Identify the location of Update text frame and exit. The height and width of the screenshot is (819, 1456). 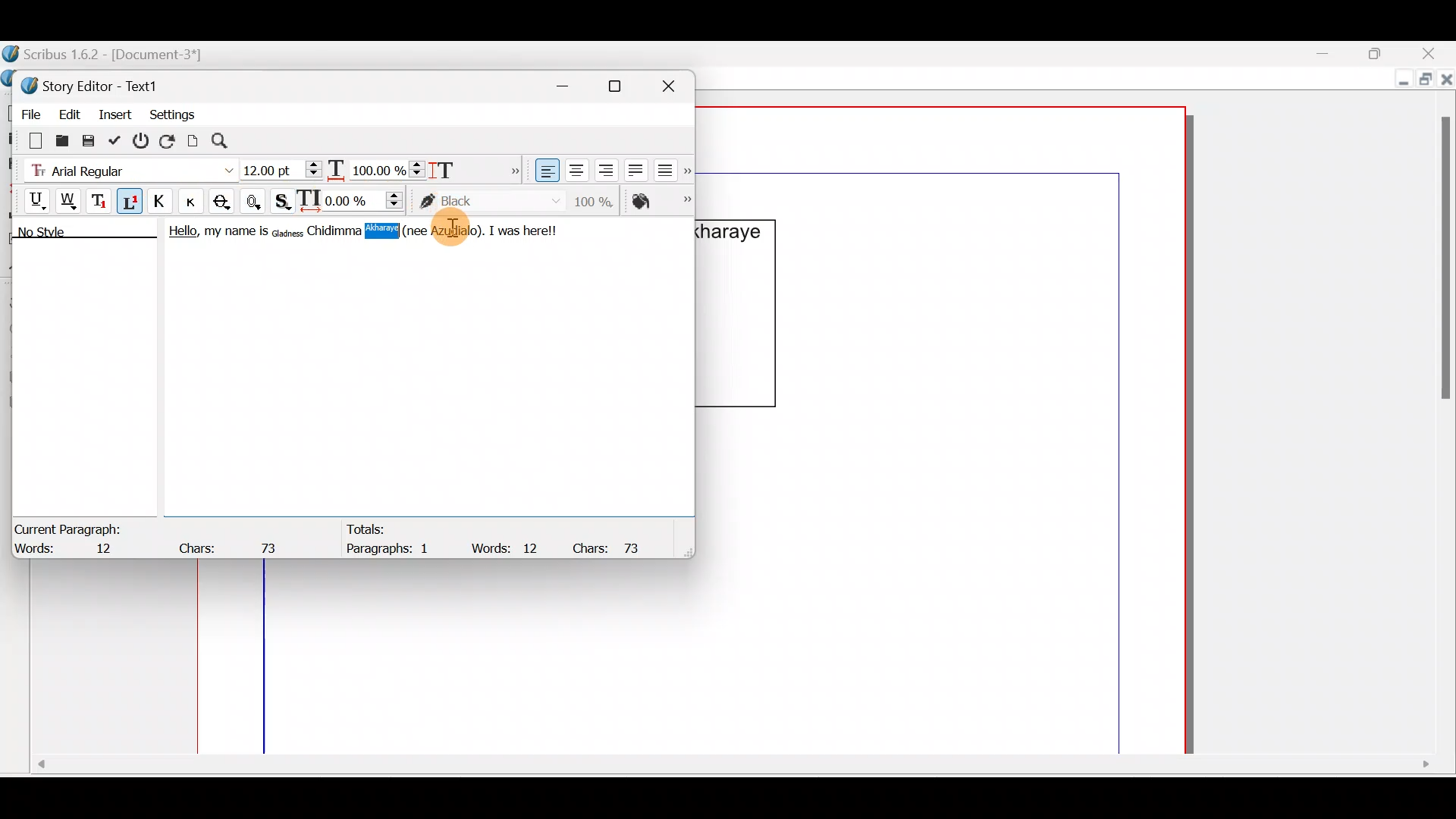
(118, 138).